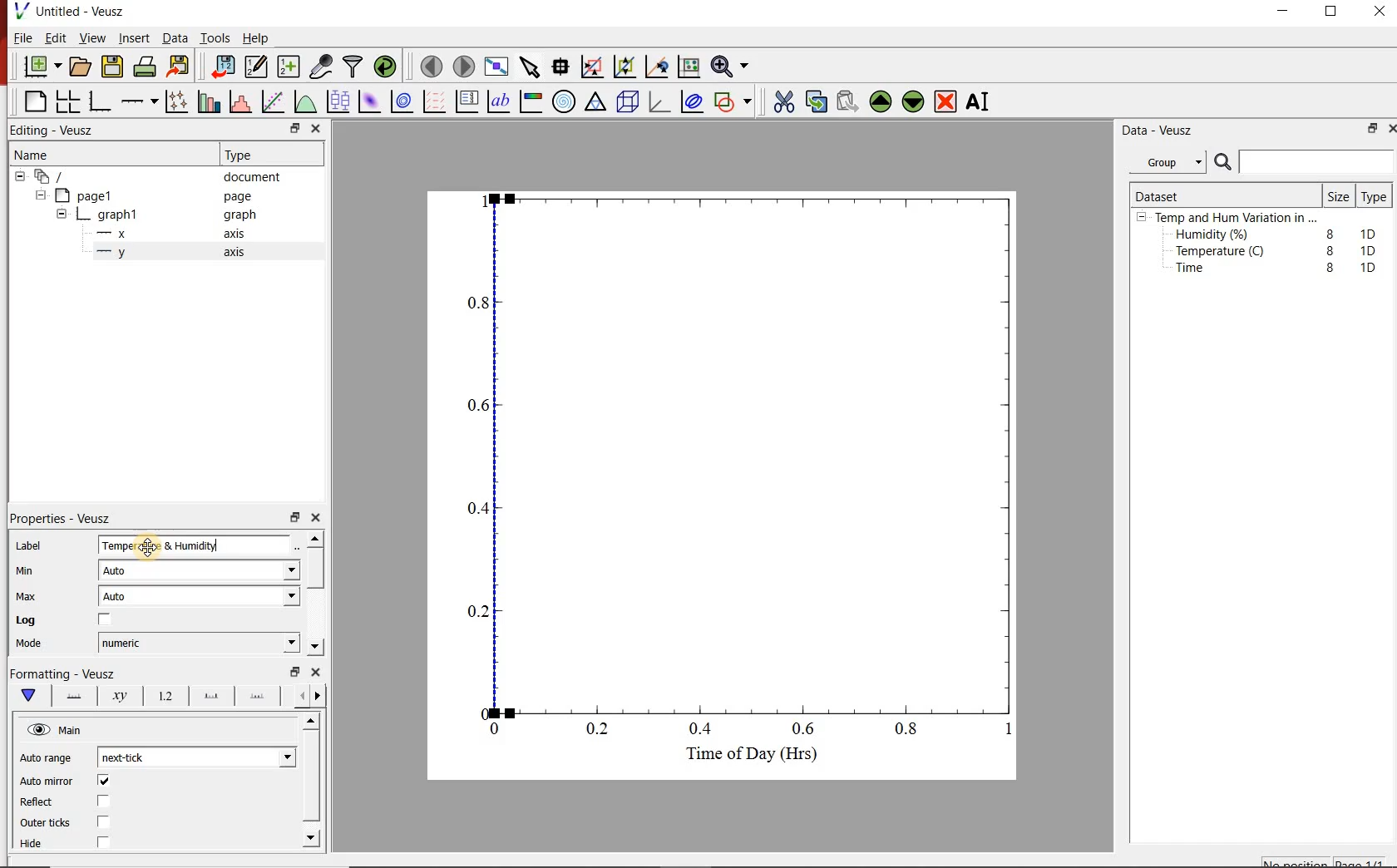 The image size is (1397, 868). What do you see at coordinates (1161, 131) in the screenshot?
I see `Data - Veusz` at bounding box center [1161, 131].